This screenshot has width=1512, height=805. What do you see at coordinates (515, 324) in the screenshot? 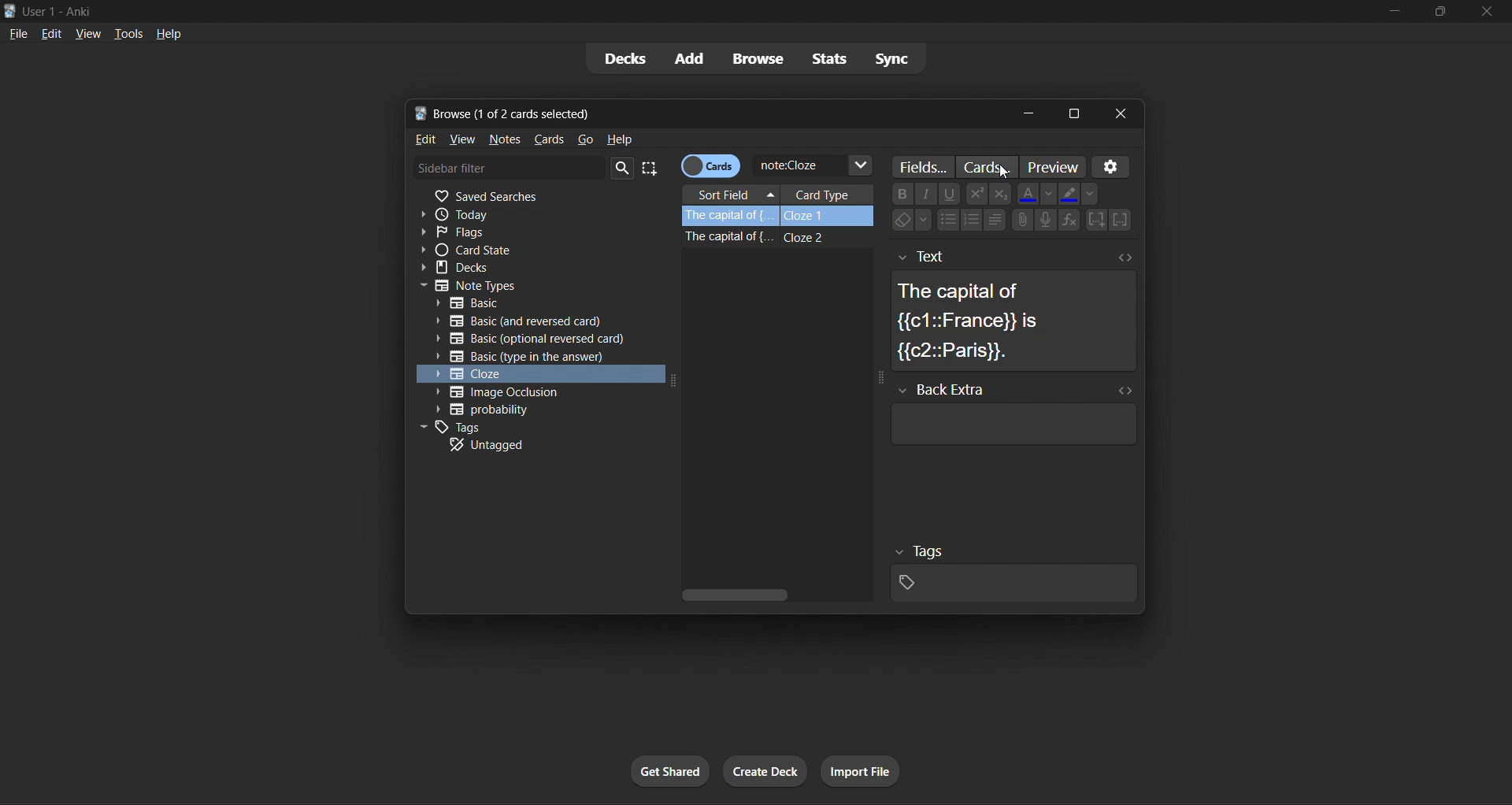
I see `basic (and reversed card) filter` at bounding box center [515, 324].